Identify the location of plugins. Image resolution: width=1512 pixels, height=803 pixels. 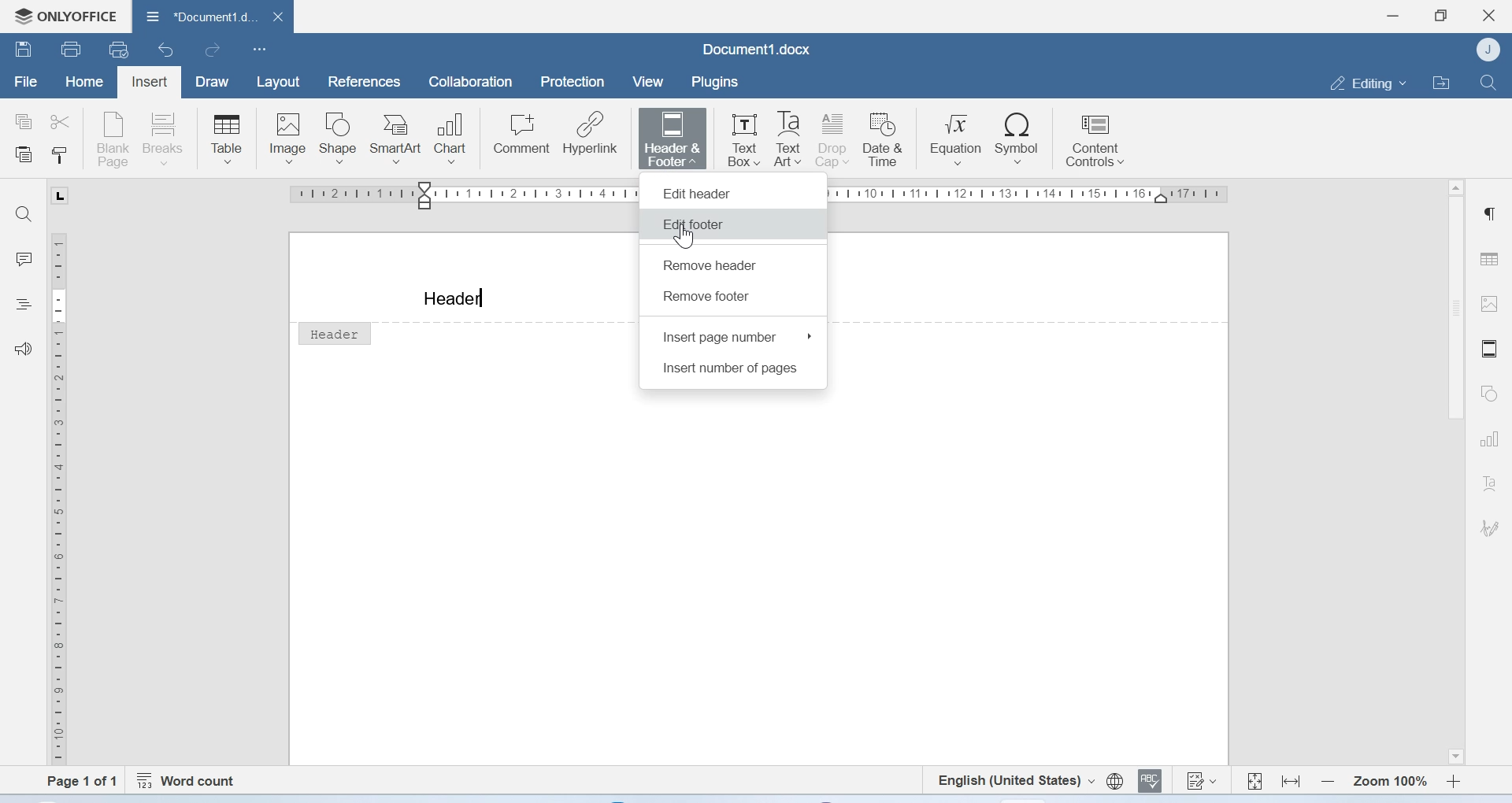
(721, 82).